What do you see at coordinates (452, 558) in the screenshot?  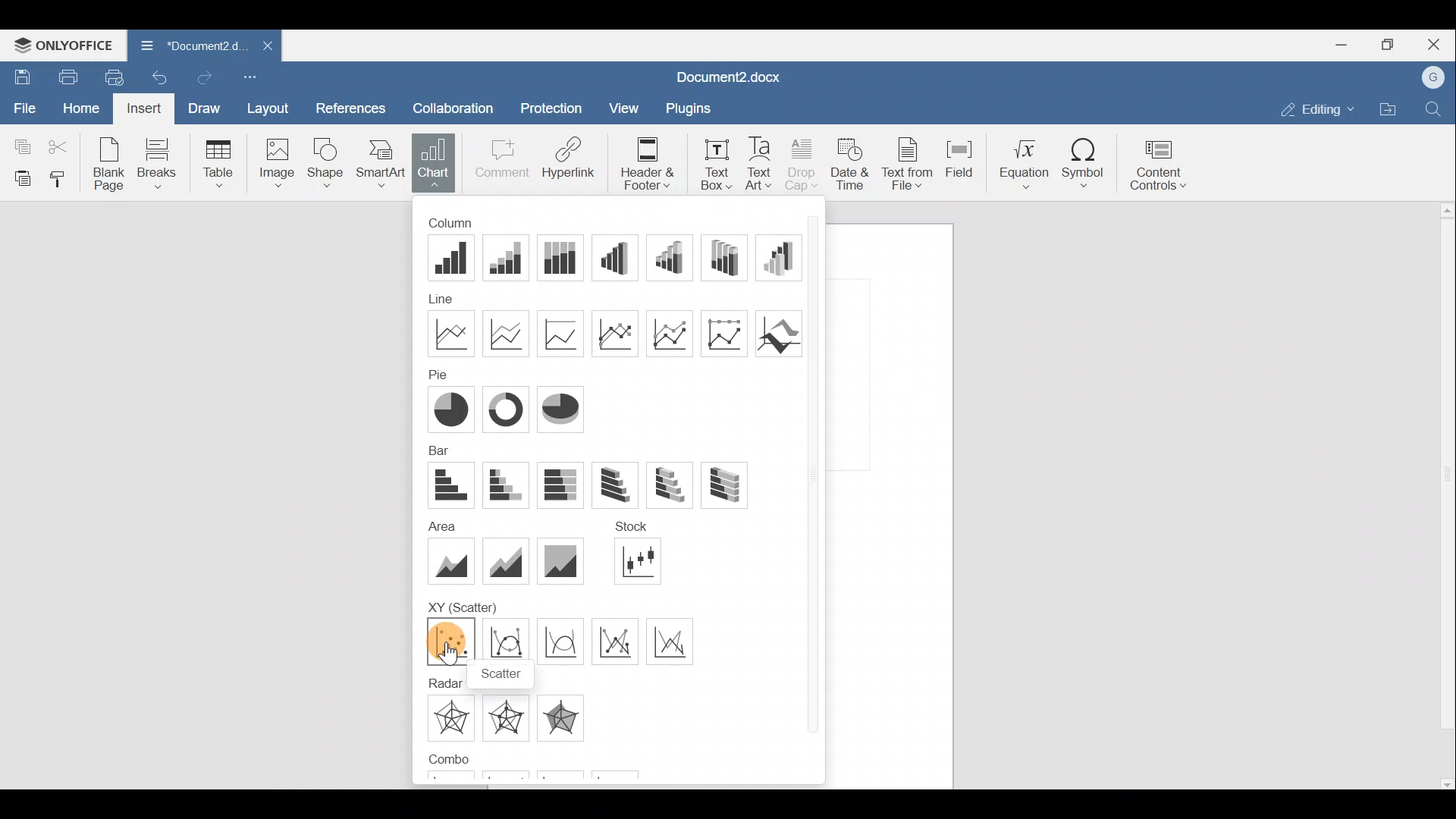 I see `Area` at bounding box center [452, 558].